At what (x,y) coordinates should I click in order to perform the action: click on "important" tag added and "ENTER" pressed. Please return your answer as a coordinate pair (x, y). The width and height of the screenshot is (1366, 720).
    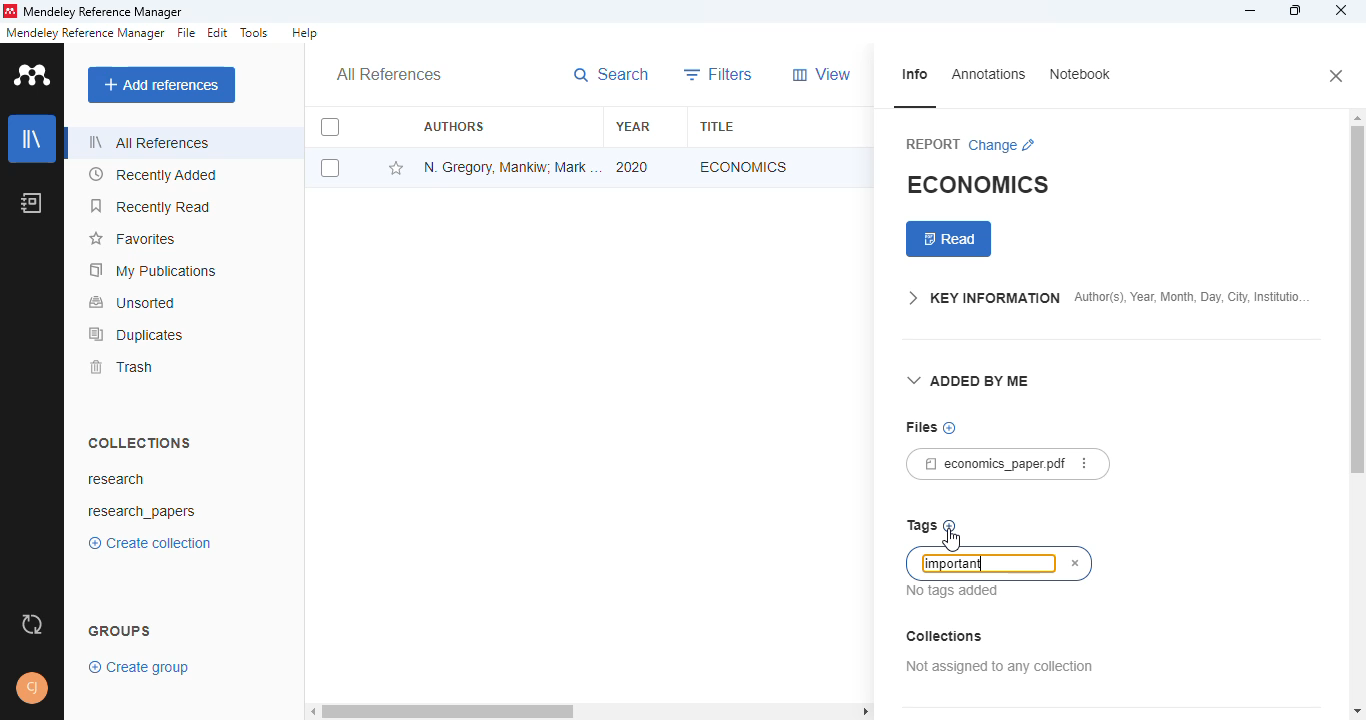
    Looking at the image, I should click on (982, 562).